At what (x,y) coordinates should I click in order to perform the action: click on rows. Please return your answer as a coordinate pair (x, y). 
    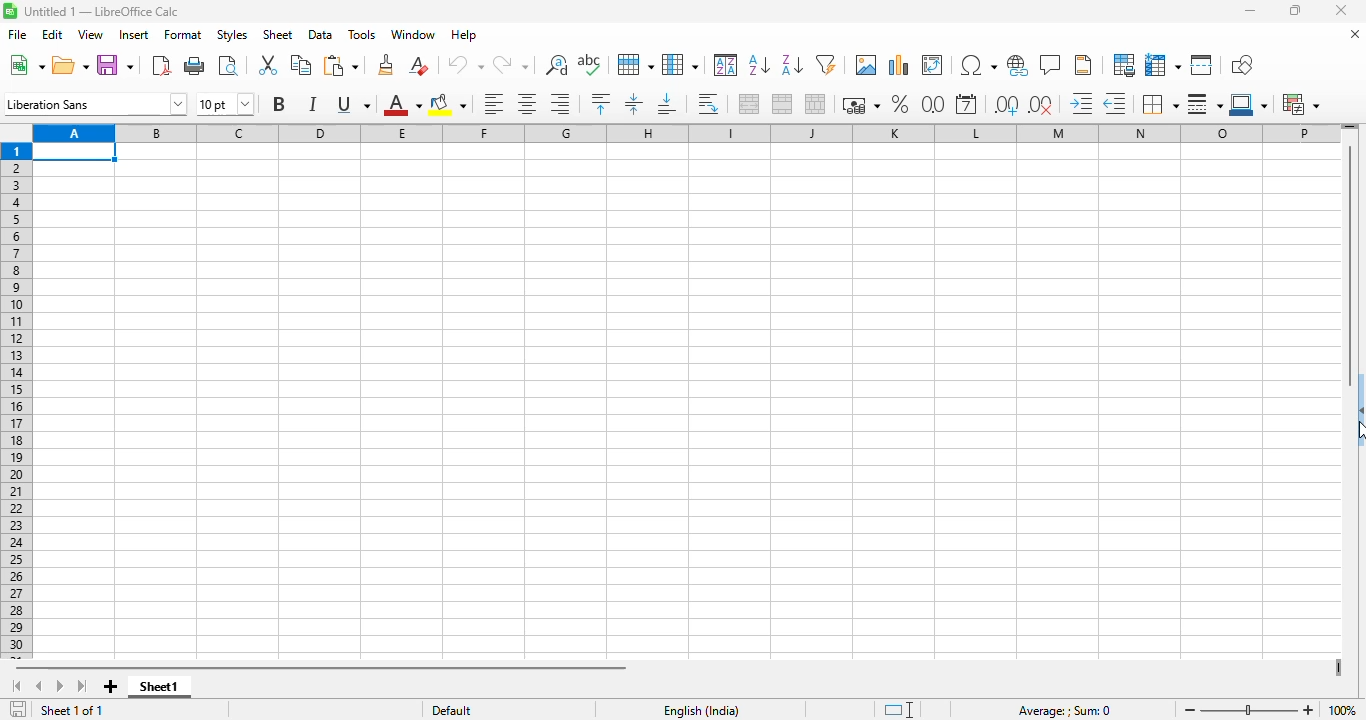
    Looking at the image, I should click on (17, 401).